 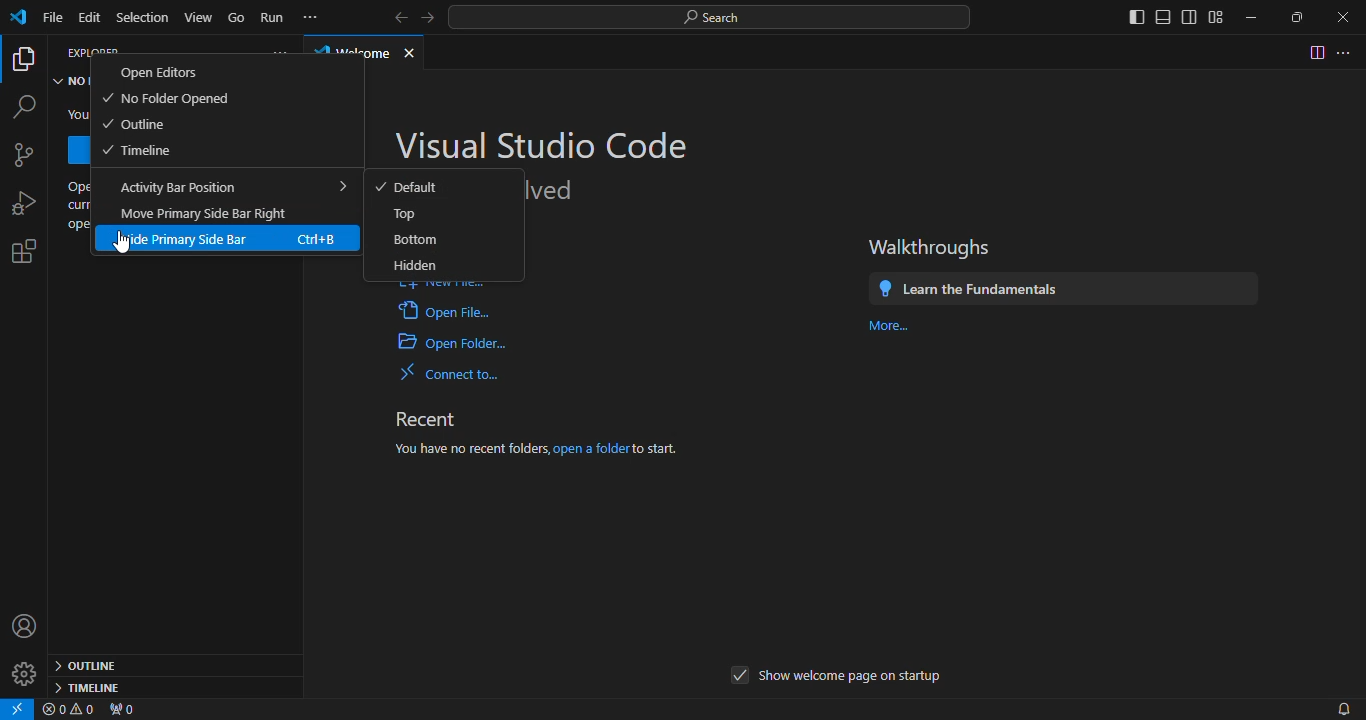 What do you see at coordinates (144, 16) in the screenshot?
I see `Selection` at bounding box center [144, 16].